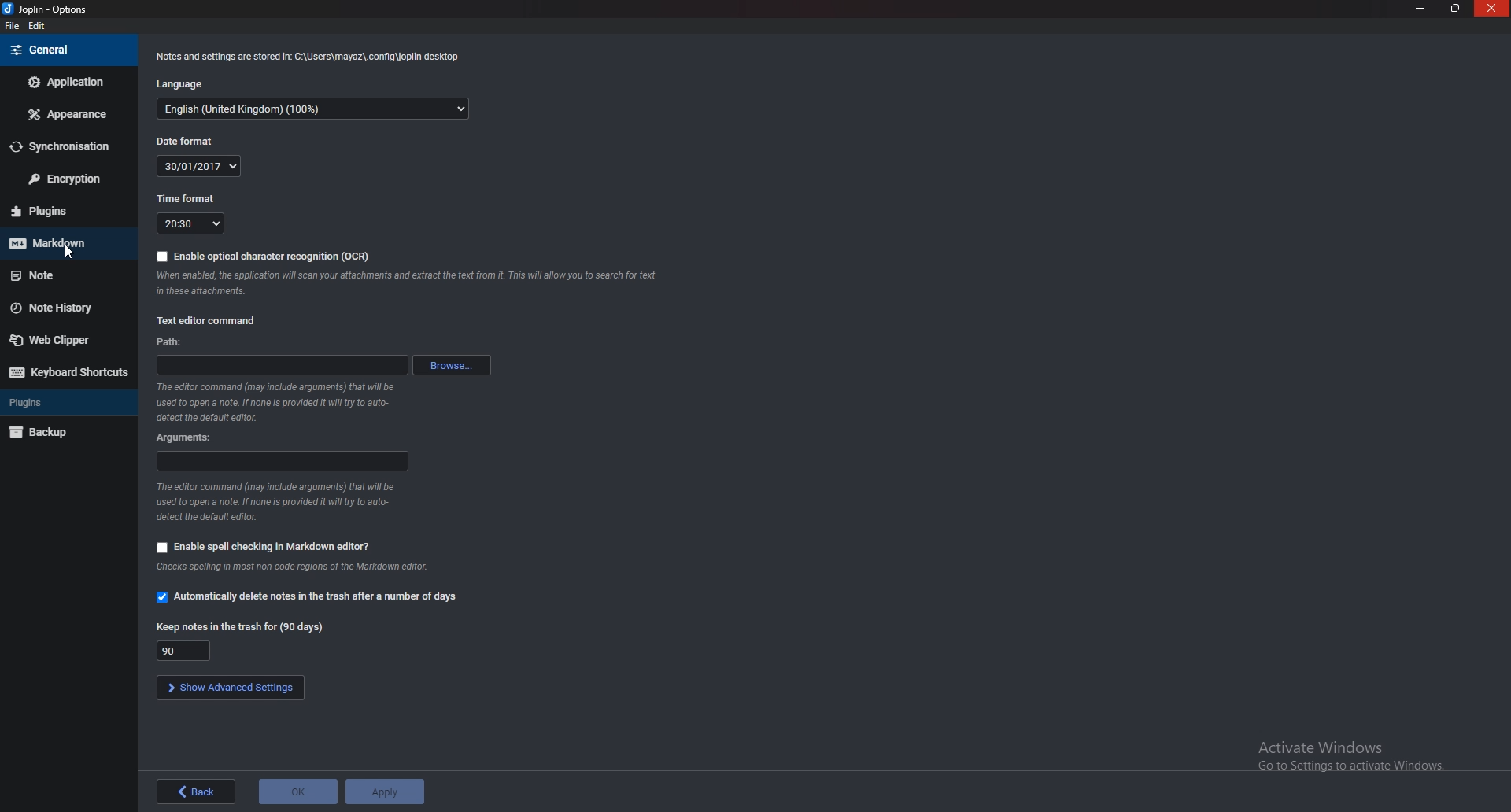 This screenshot has height=812, width=1511. Describe the element at coordinates (281, 365) in the screenshot. I see `path` at that location.